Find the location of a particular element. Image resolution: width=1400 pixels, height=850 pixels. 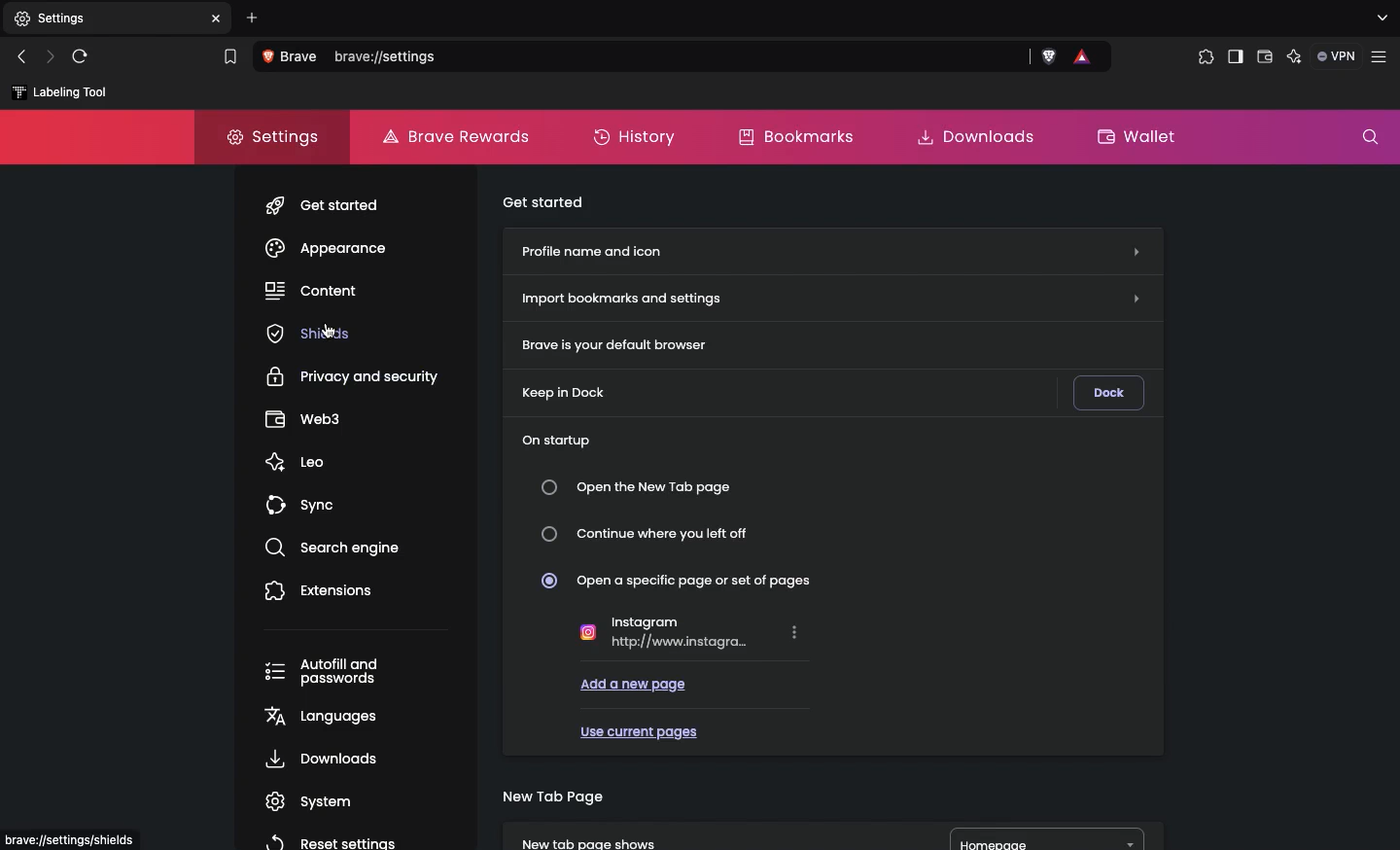

Leo is located at coordinates (295, 463).